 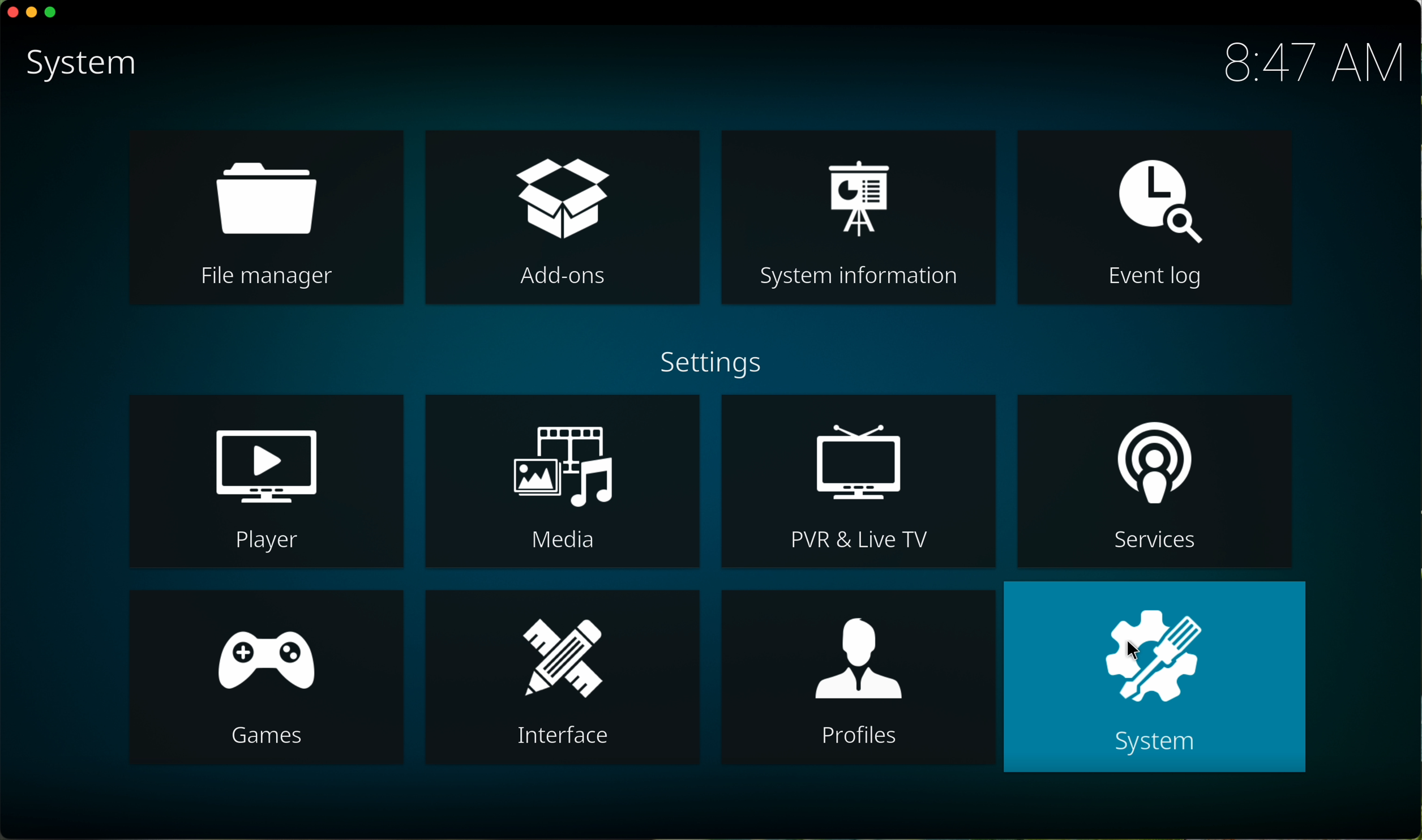 I want to click on cursor, so click(x=1135, y=653).